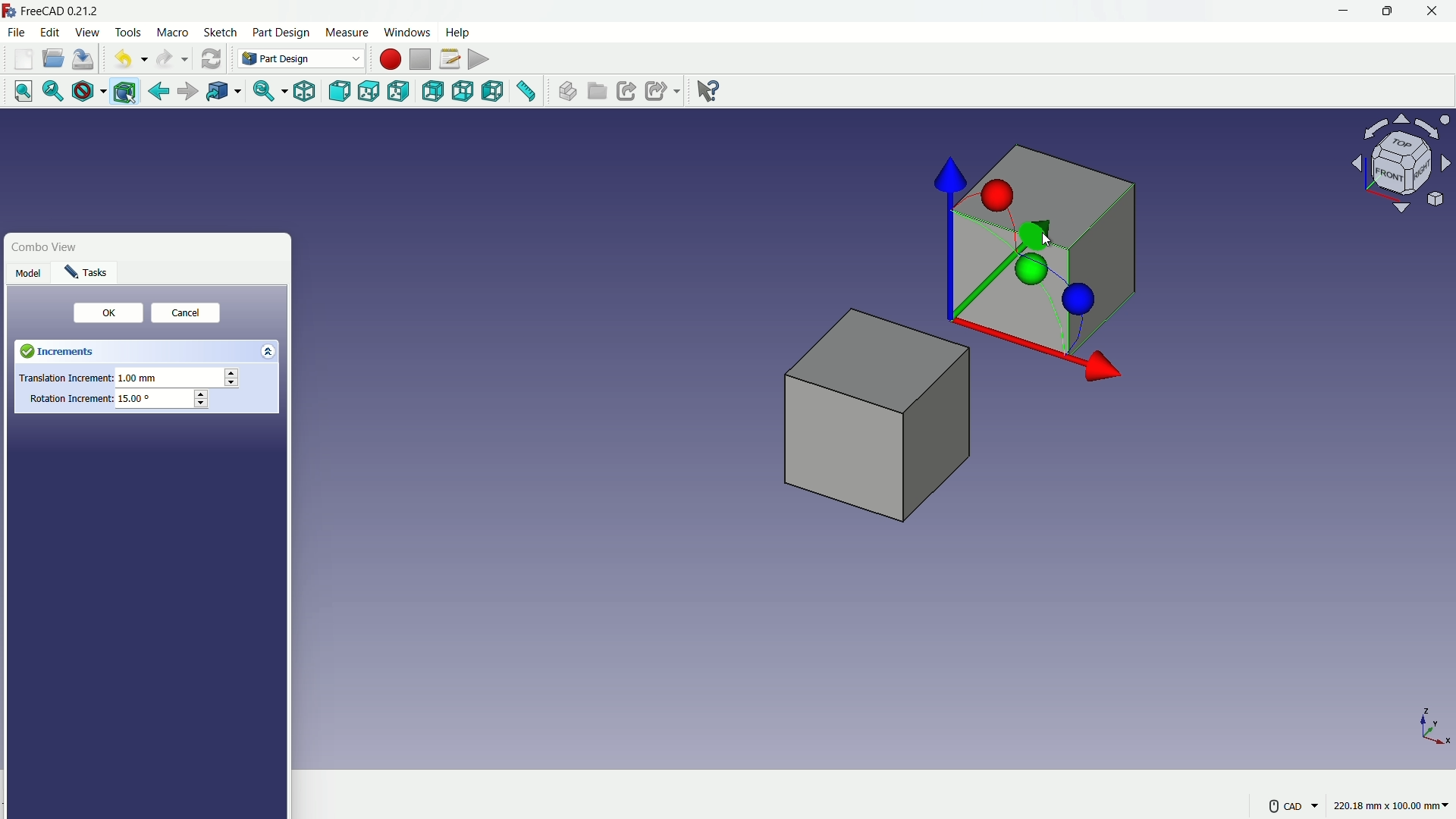 Image resolution: width=1456 pixels, height=819 pixels. Describe the element at coordinates (88, 274) in the screenshot. I see `task` at that location.